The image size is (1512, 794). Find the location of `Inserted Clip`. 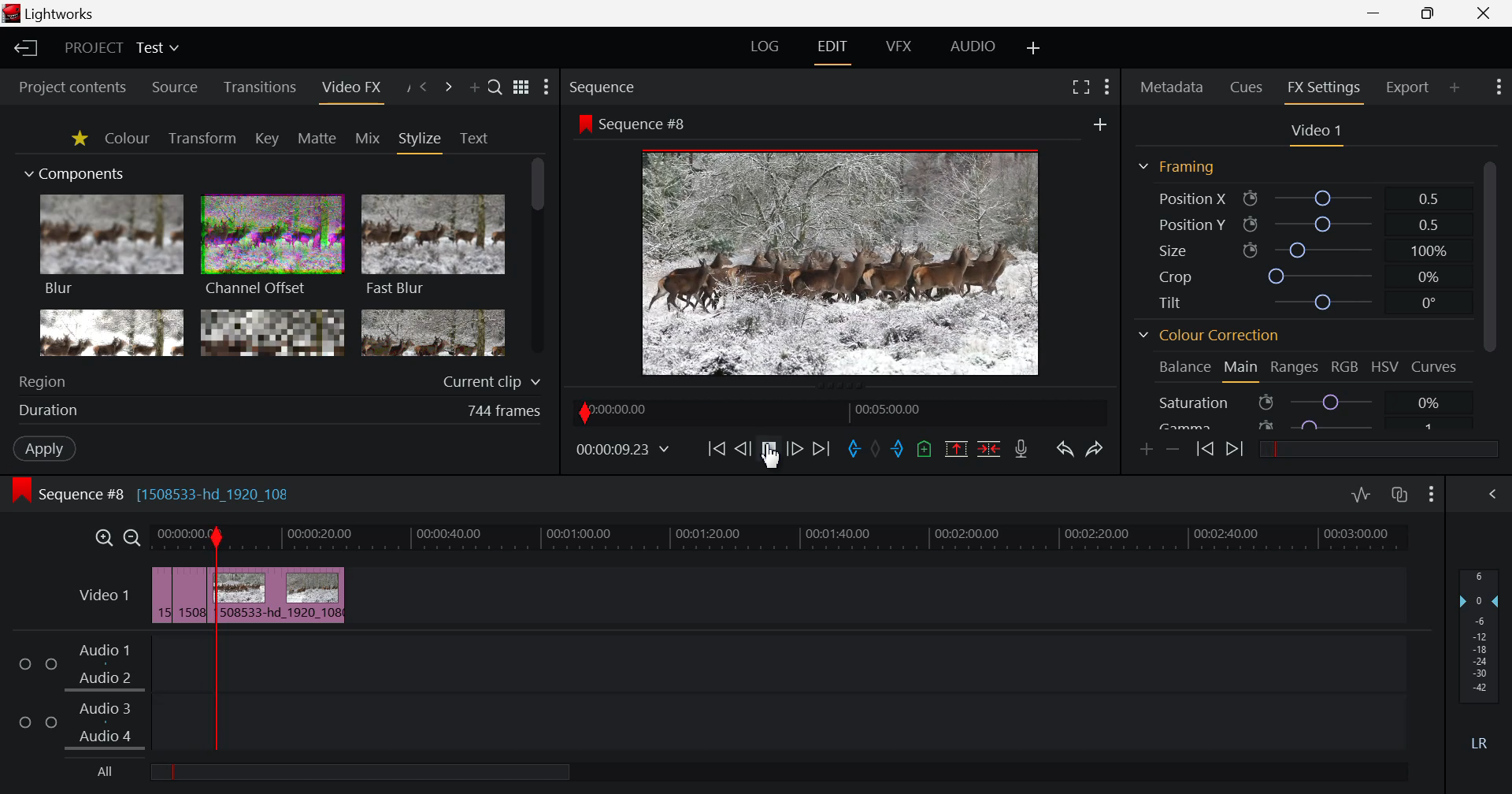

Inserted Clip is located at coordinates (270, 595).